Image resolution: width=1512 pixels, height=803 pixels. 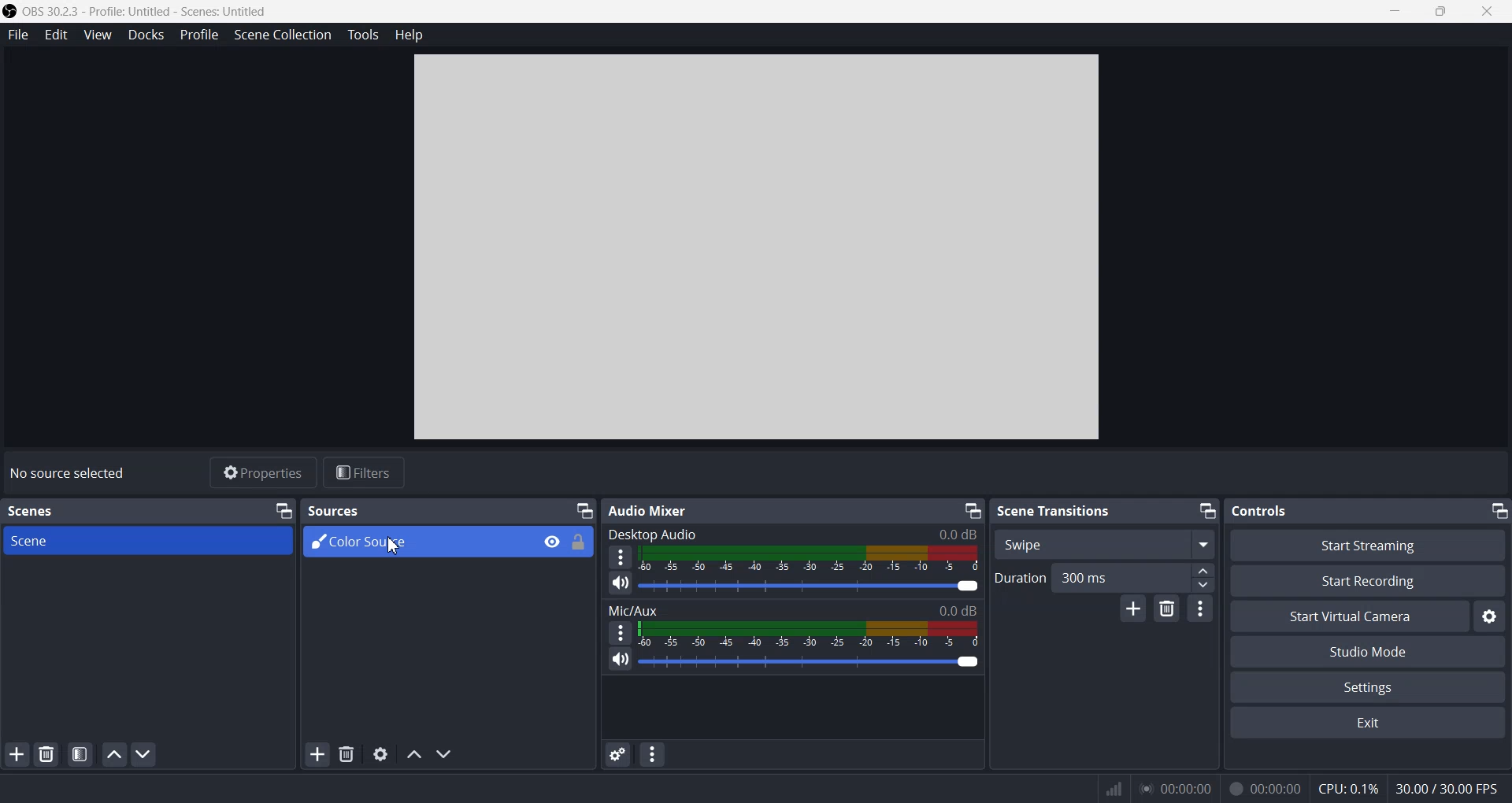 What do you see at coordinates (283, 35) in the screenshot?
I see `Scene Collection` at bounding box center [283, 35].